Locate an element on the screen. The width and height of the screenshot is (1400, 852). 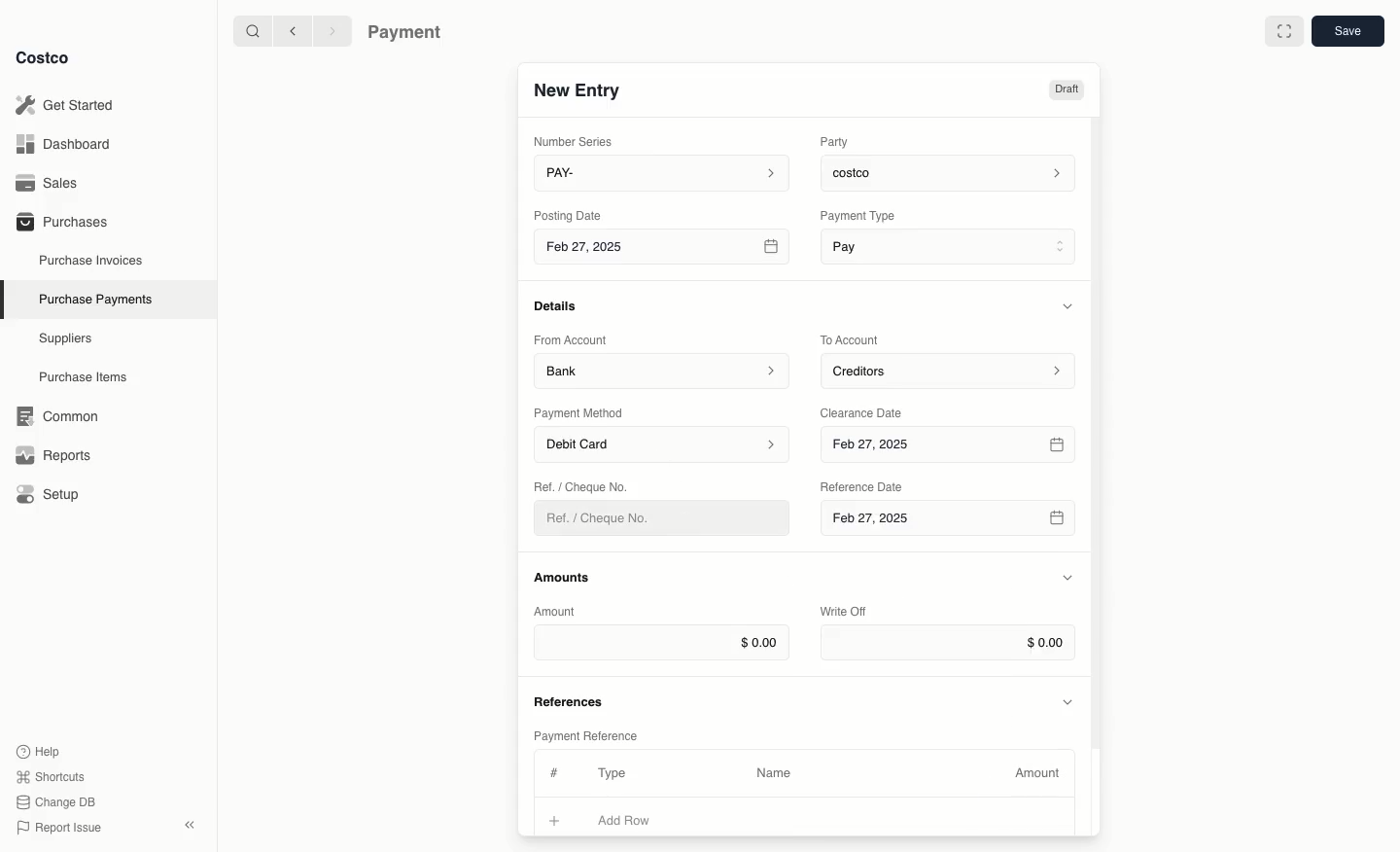
References is located at coordinates (572, 699).